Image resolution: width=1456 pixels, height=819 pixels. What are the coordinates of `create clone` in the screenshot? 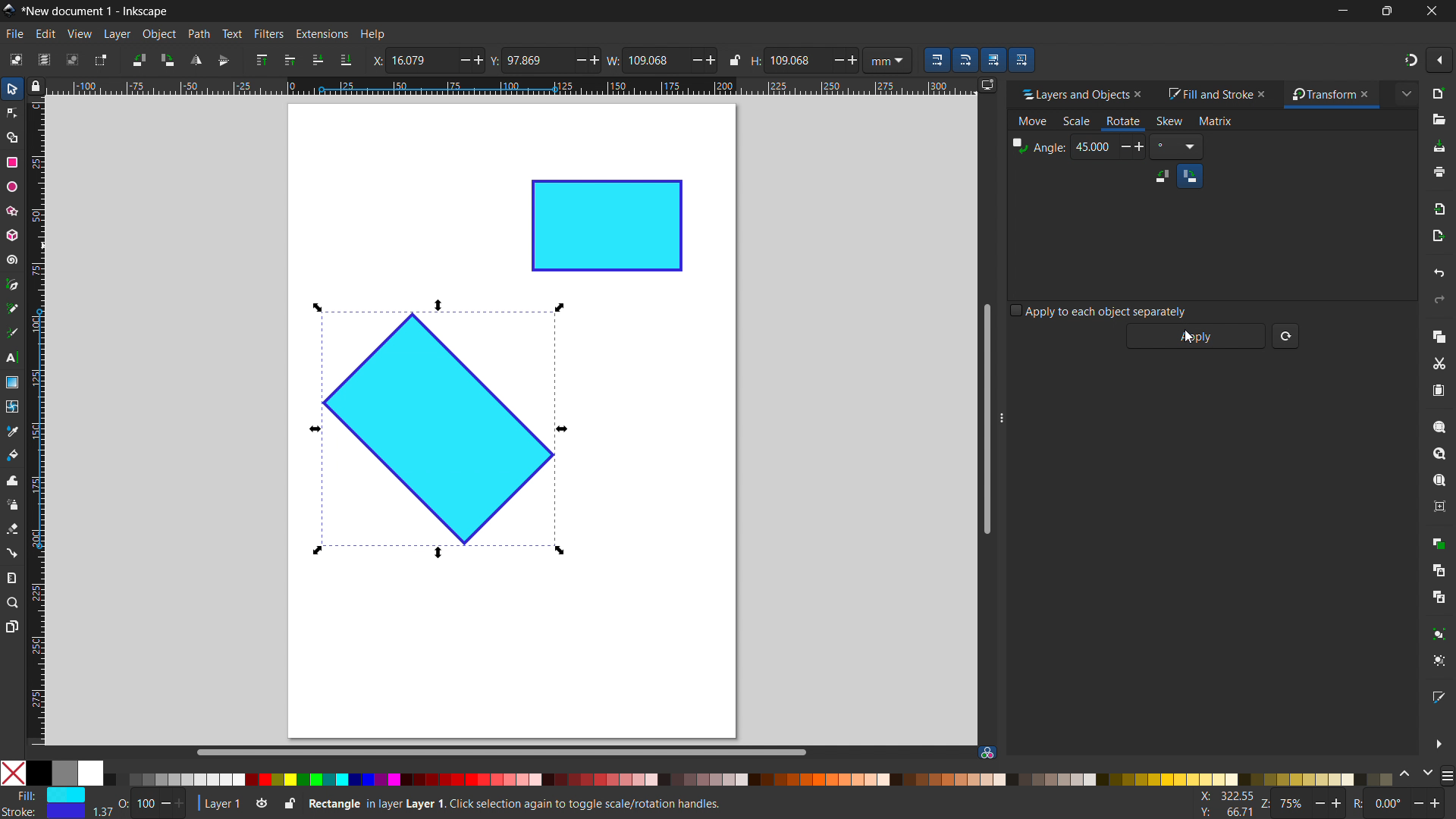 It's located at (1438, 569).